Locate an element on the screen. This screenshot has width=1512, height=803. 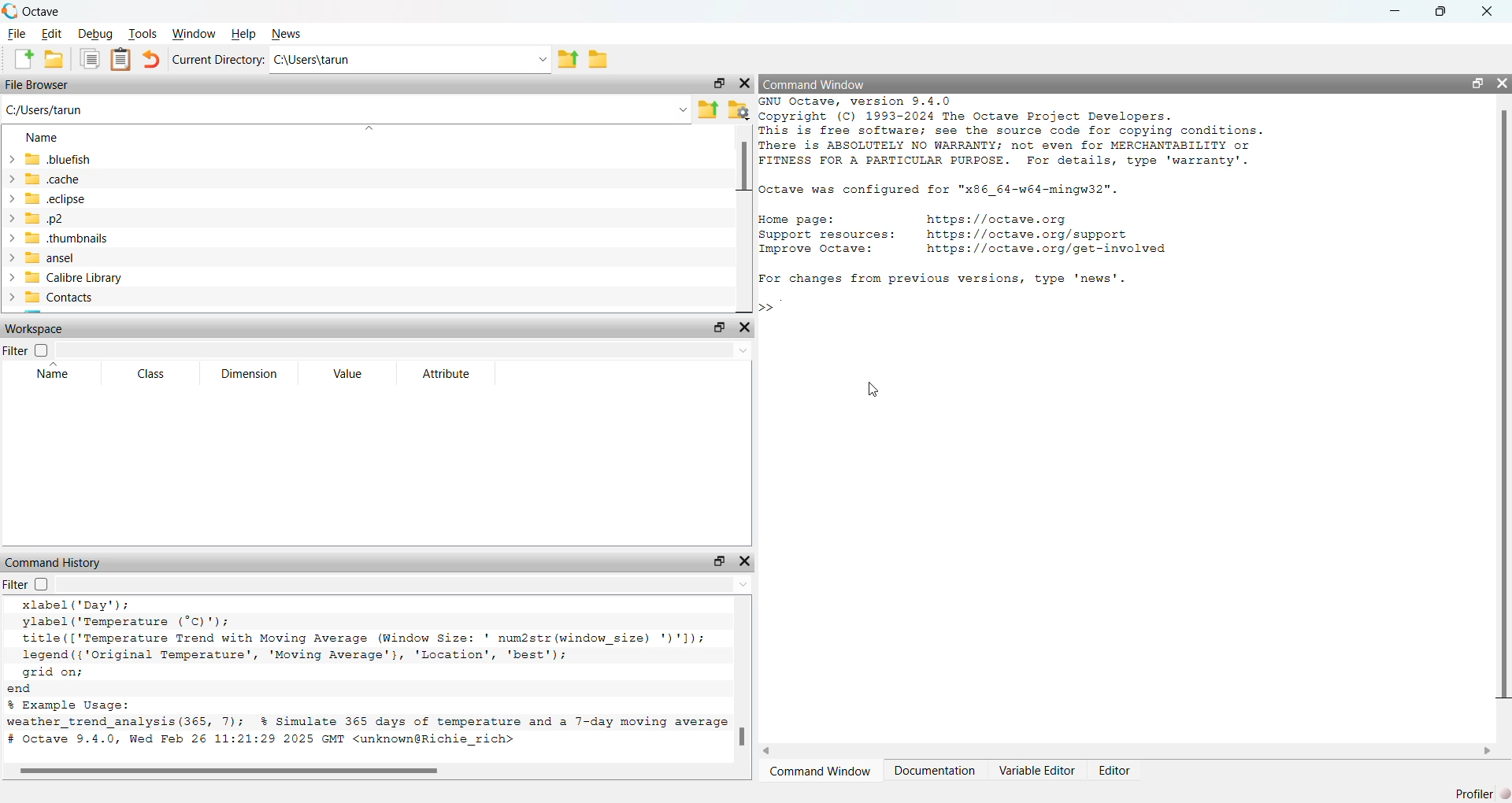
minimise is located at coordinates (1399, 12).